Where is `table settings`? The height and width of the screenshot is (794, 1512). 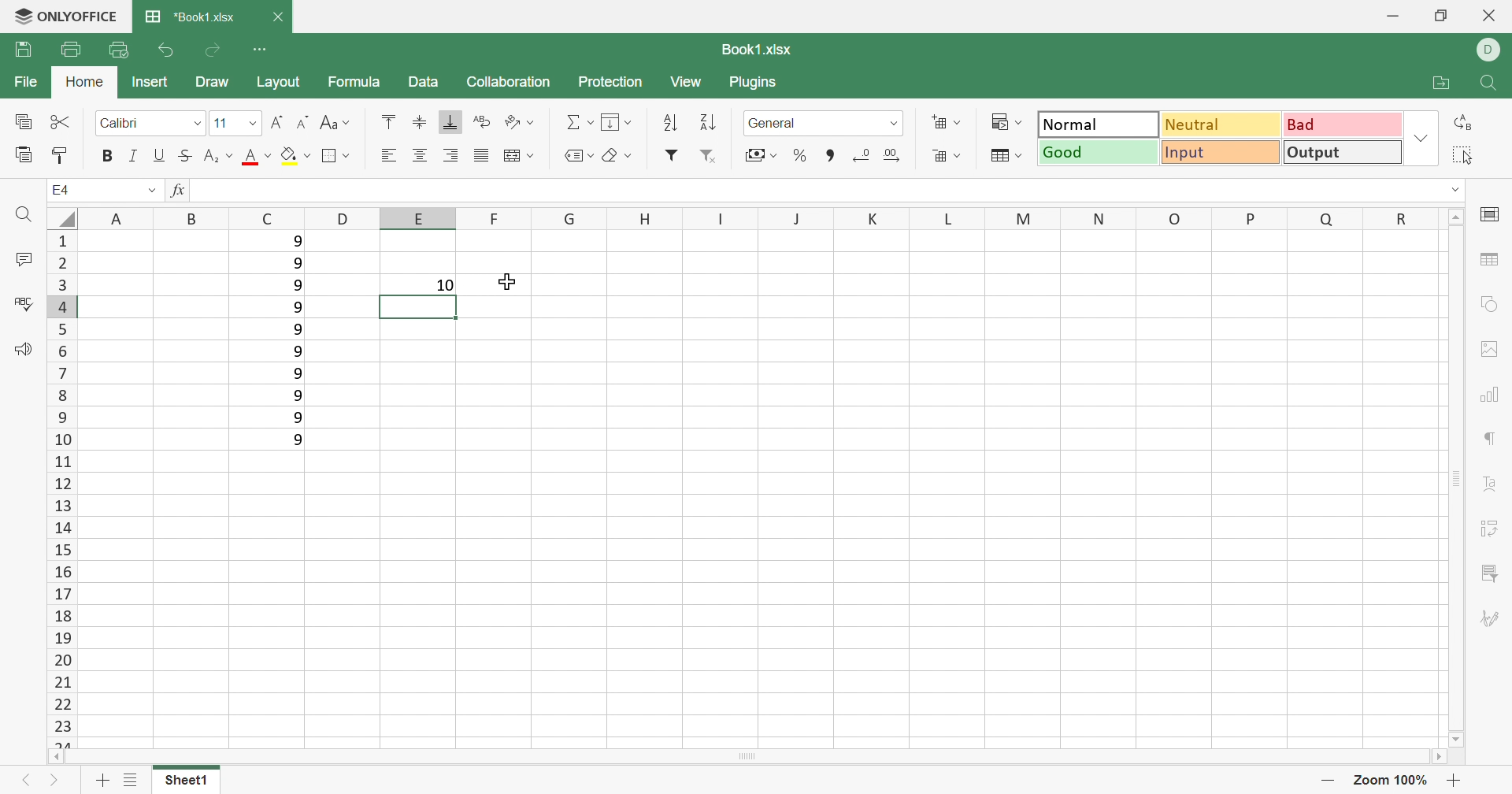 table settings is located at coordinates (1492, 258).